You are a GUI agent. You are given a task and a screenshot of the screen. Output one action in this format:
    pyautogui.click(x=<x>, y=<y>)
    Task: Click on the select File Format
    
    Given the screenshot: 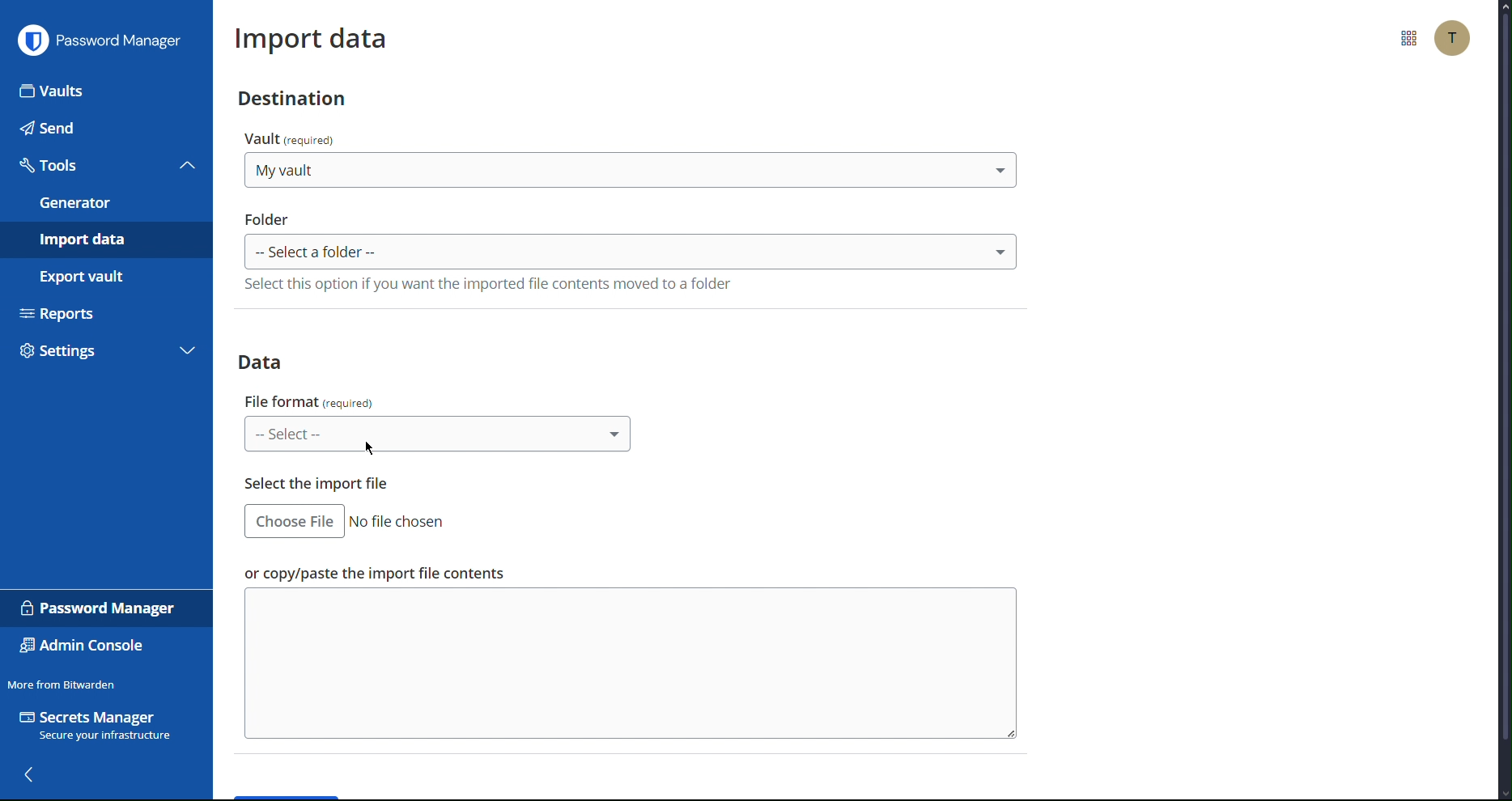 What is the action you would take?
    pyautogui.click(x=439, y=433)
    